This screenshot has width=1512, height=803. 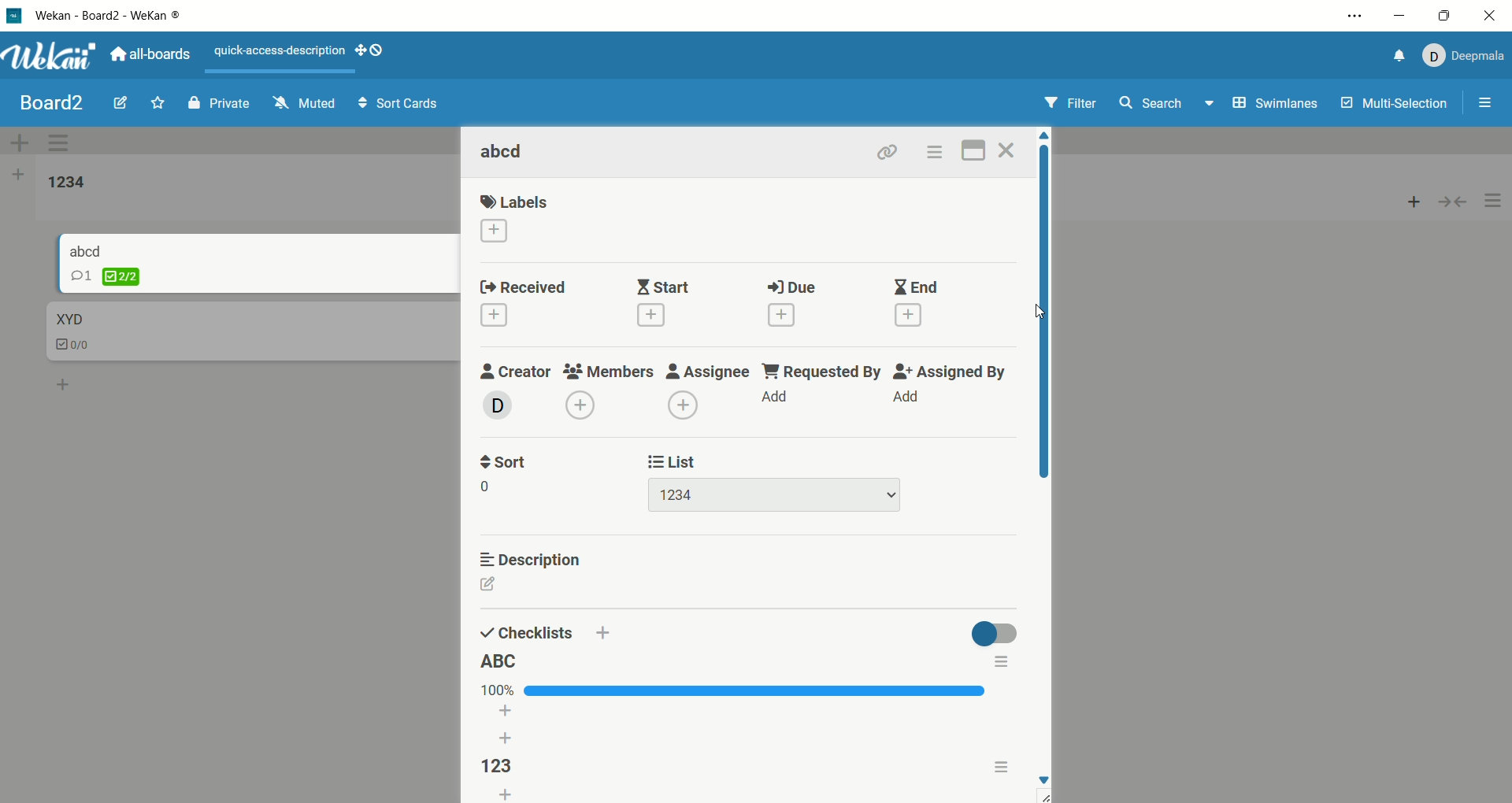 I want to click on options, so click(x=1357, y=16).